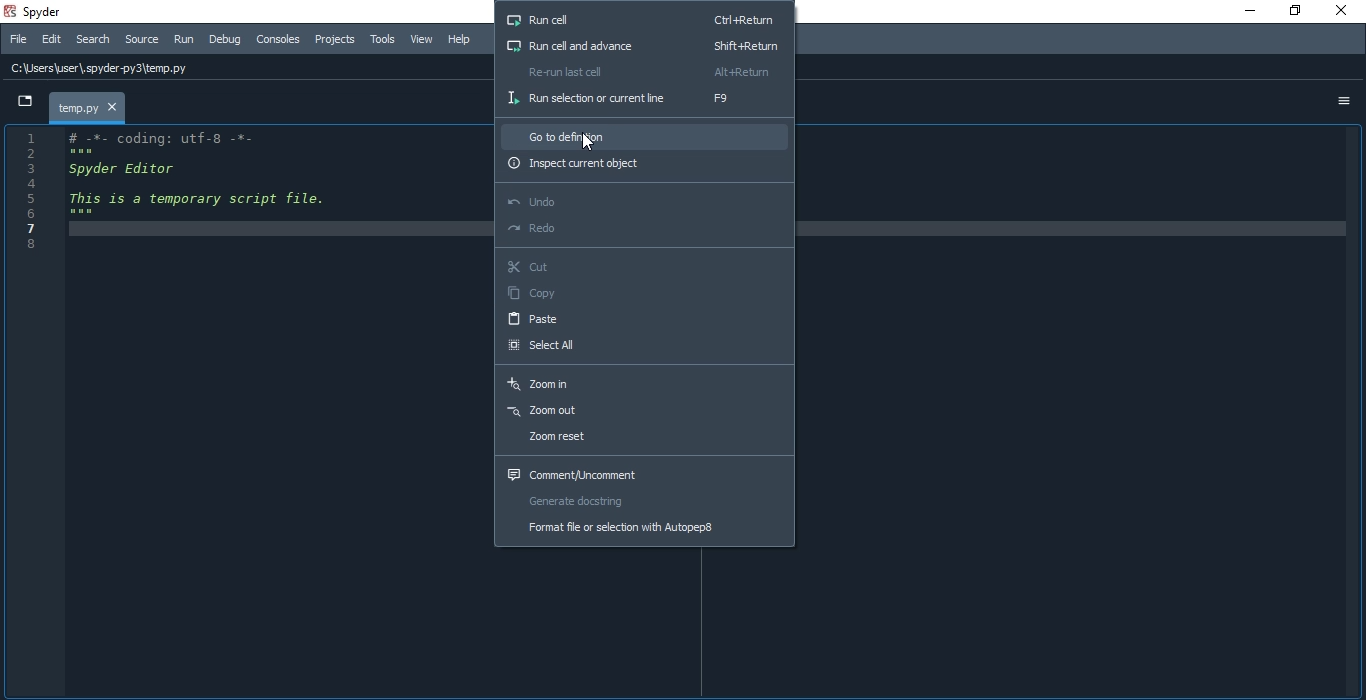 This screenshot has width=1366, height=700. Describe the element at coordinates (644, 71) in the screenshot. I see `Re-run last cell` at that location.